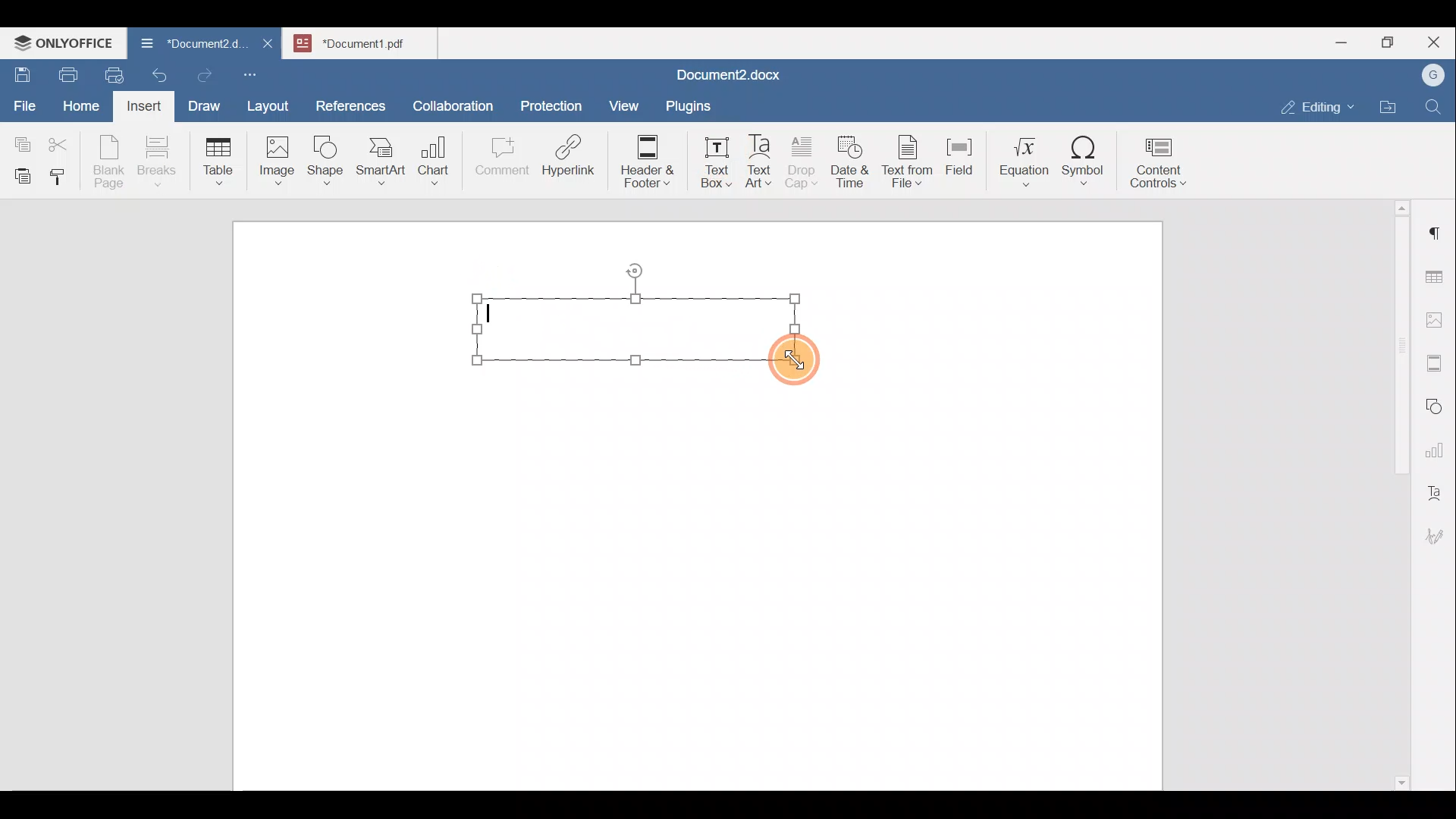 The image size is (1456, 819). I want to click on Home, so click(82, 105).